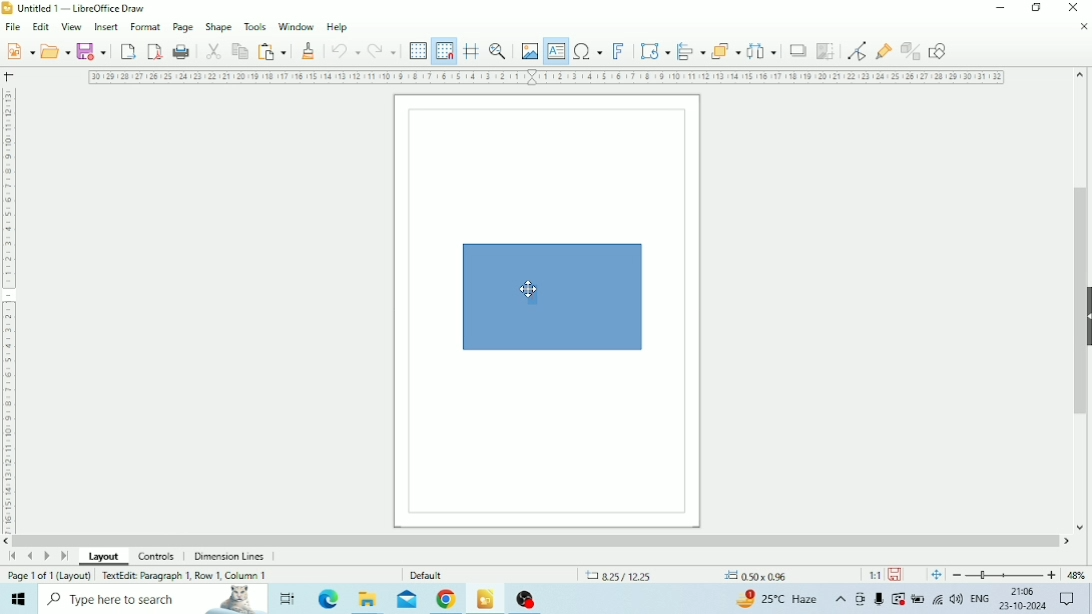  Describe the element at coordinates (218, 26) in the screenshot. I see `Shape` at that location.